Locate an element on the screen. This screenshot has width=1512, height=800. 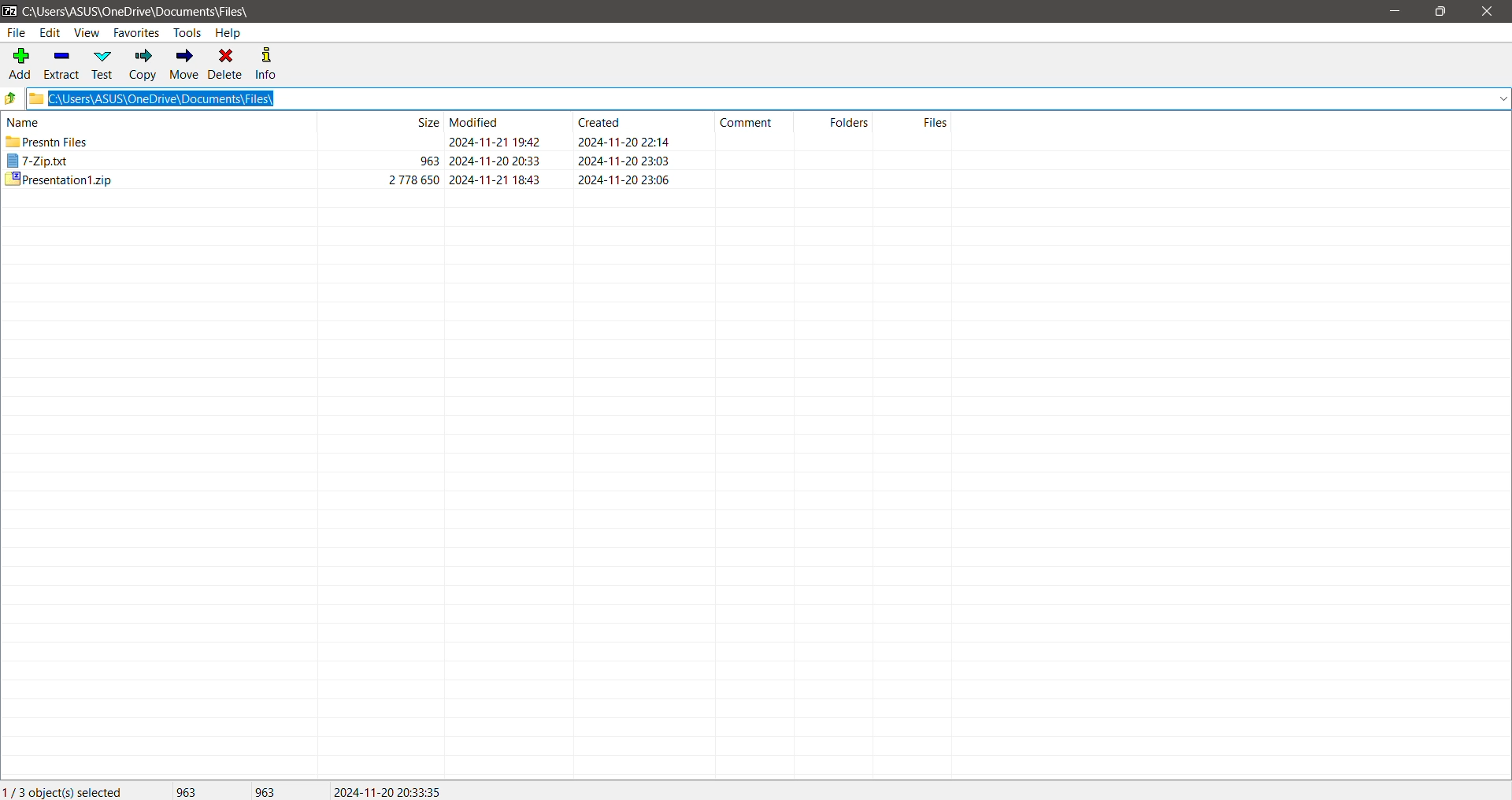
Minimize is located at coordinates (1396, 12).